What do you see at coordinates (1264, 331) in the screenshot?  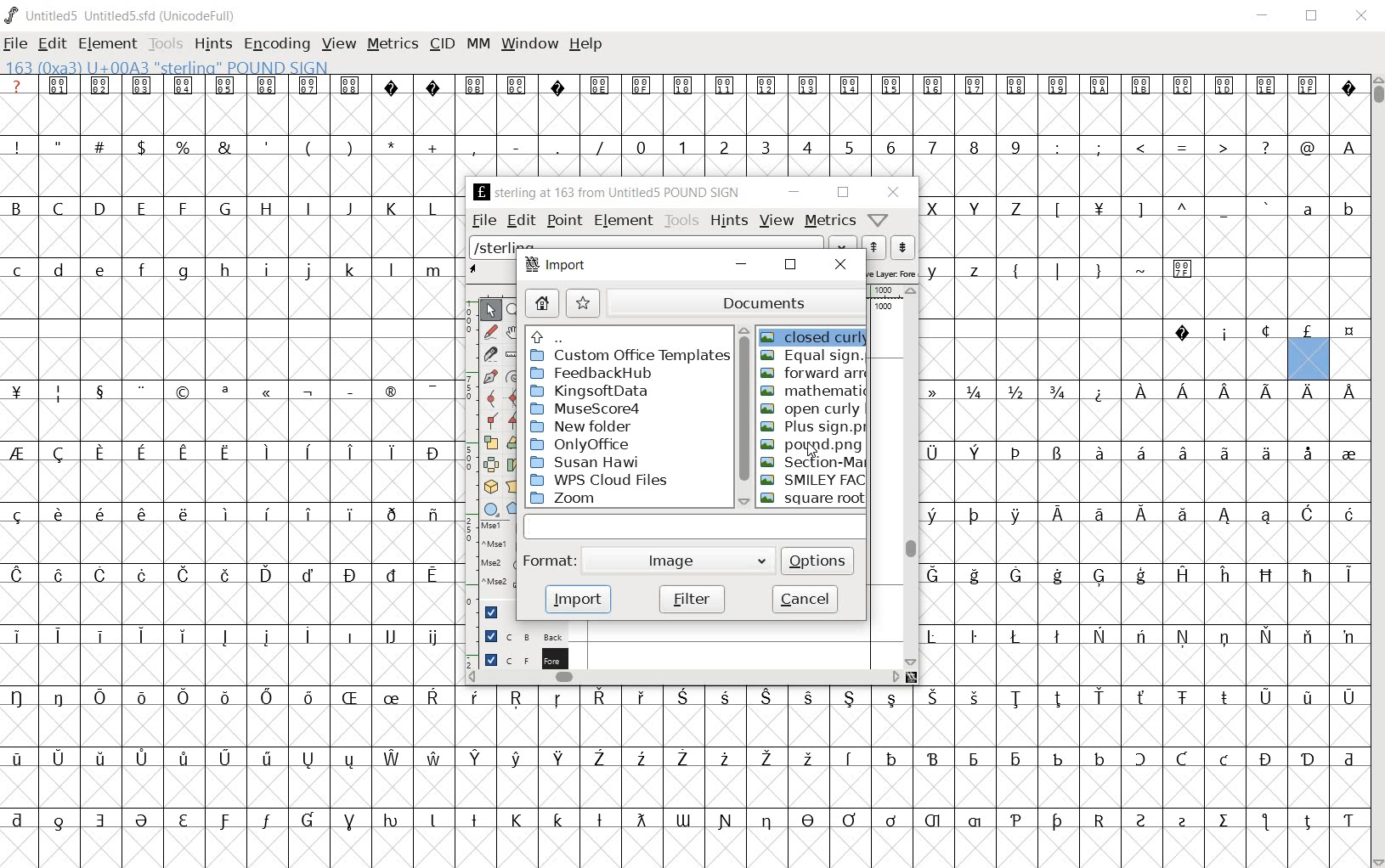 I see `Symbol` at bounding box center [1264, 331].